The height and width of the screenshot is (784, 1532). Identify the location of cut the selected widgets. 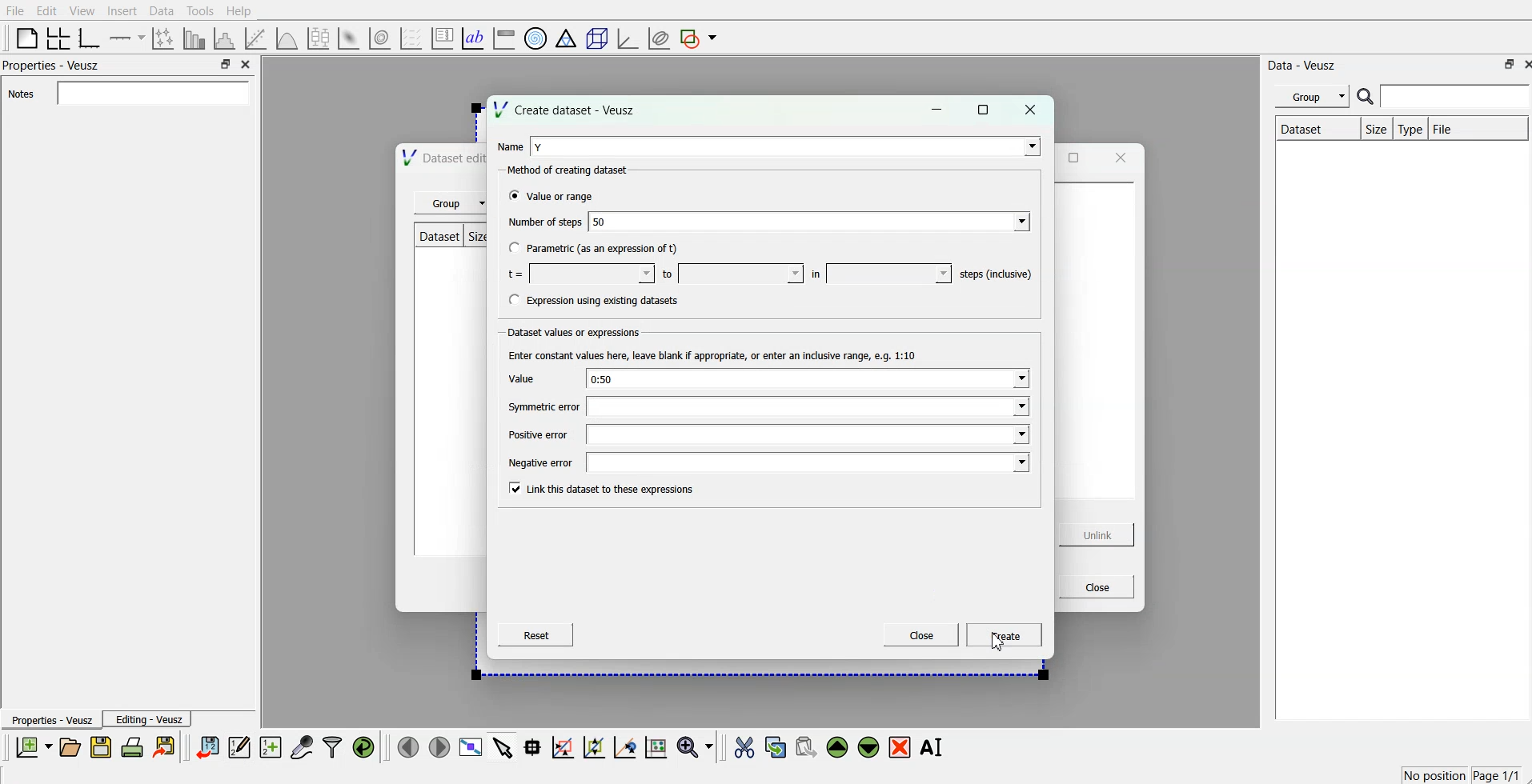
(746, 747).